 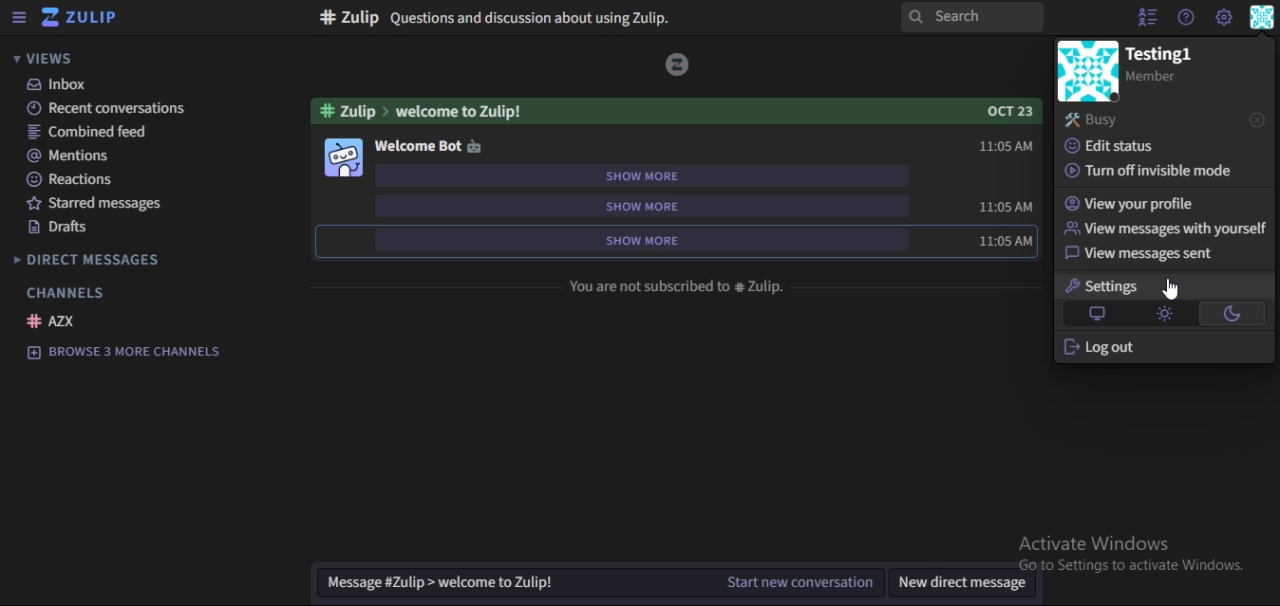 What do you see at coordinates (1003, 147) in the screenshot?
I see `11:05 AM` at bounding box center [1003, 147].